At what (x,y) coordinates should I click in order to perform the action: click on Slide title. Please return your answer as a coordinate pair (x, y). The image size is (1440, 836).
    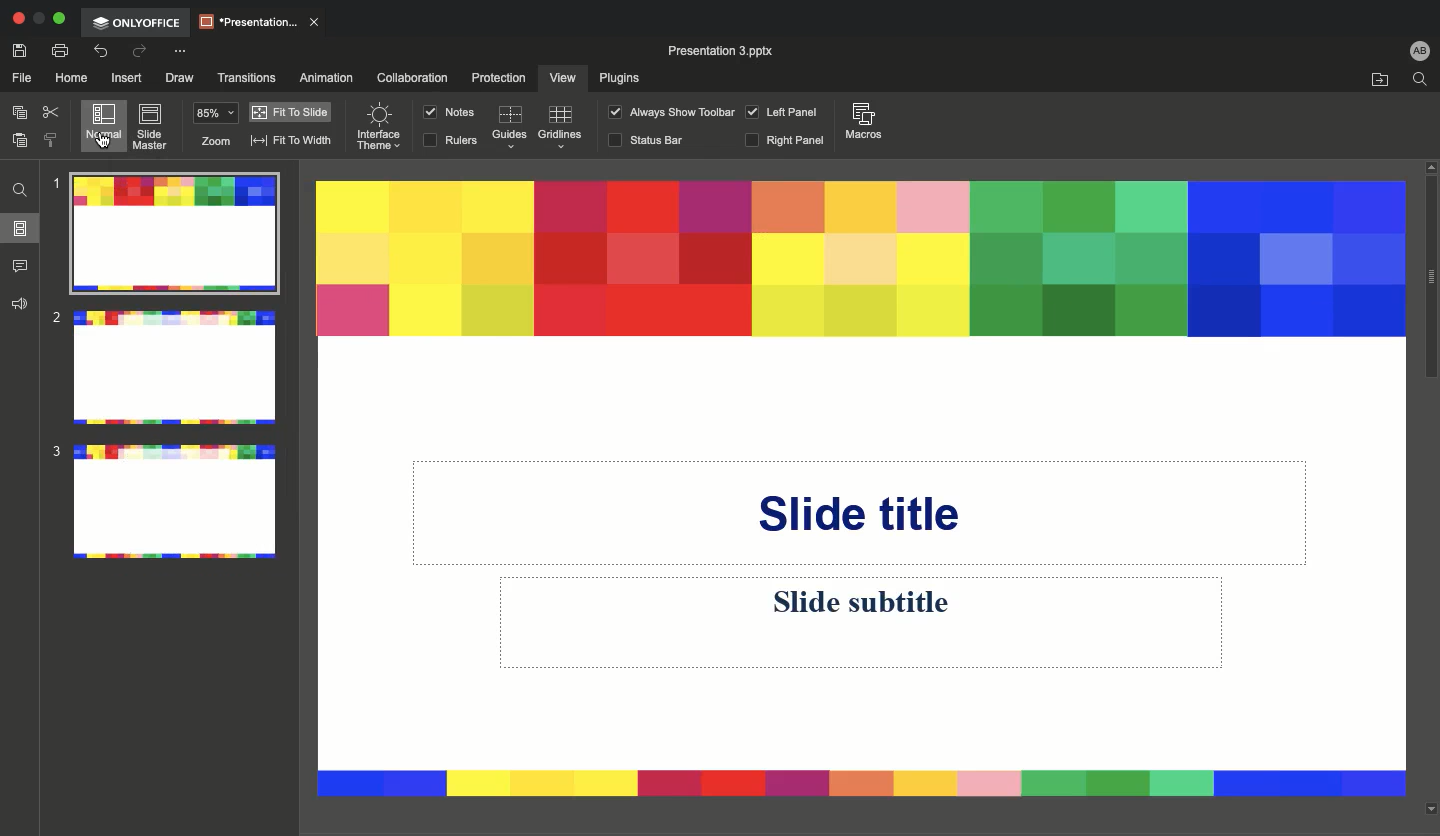
    Looking at the image, I should click on (859, 512).